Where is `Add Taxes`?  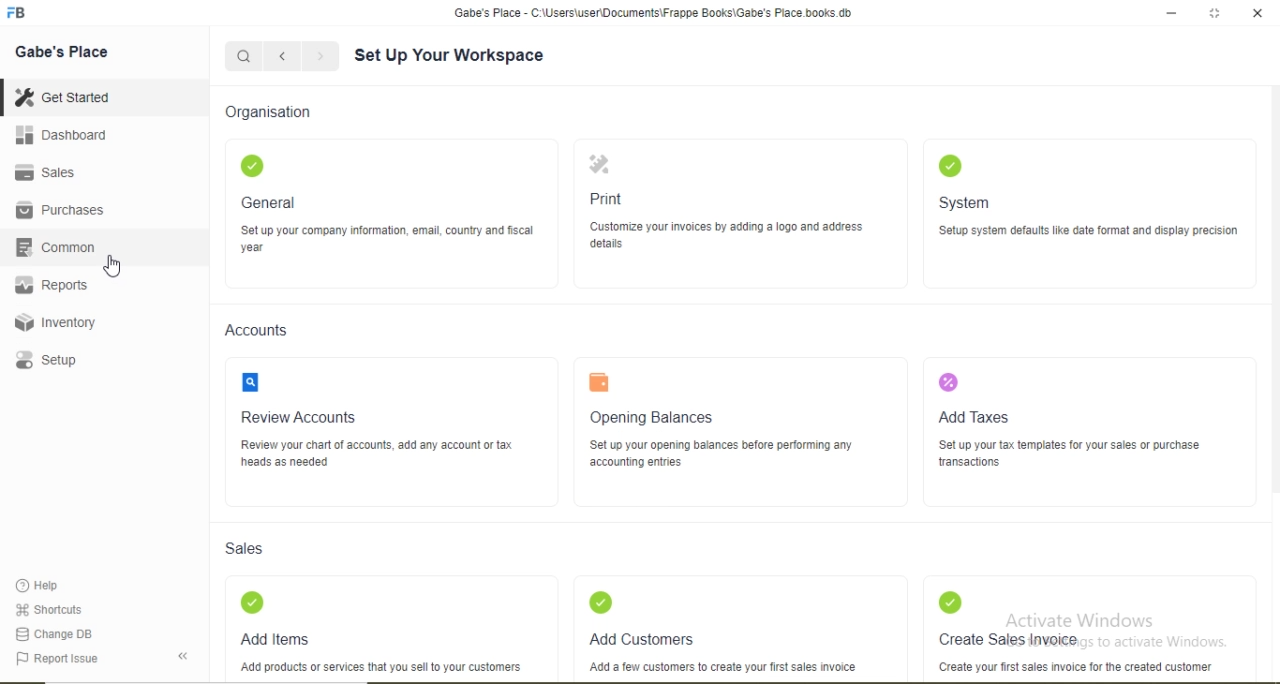 Add Taxes is located at coordinates (977, 417).